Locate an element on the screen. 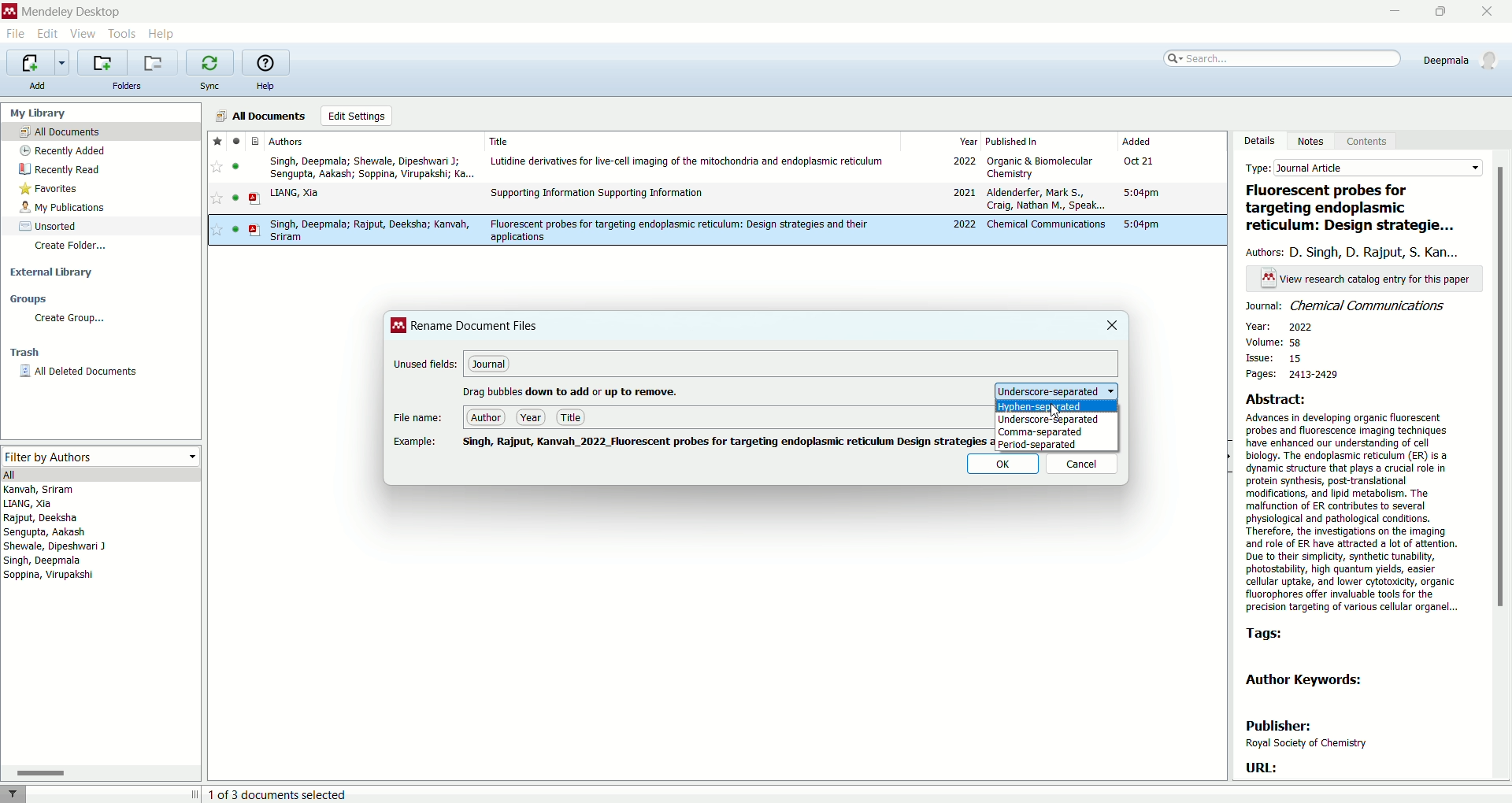  close is located at coordinates (1113, 325).